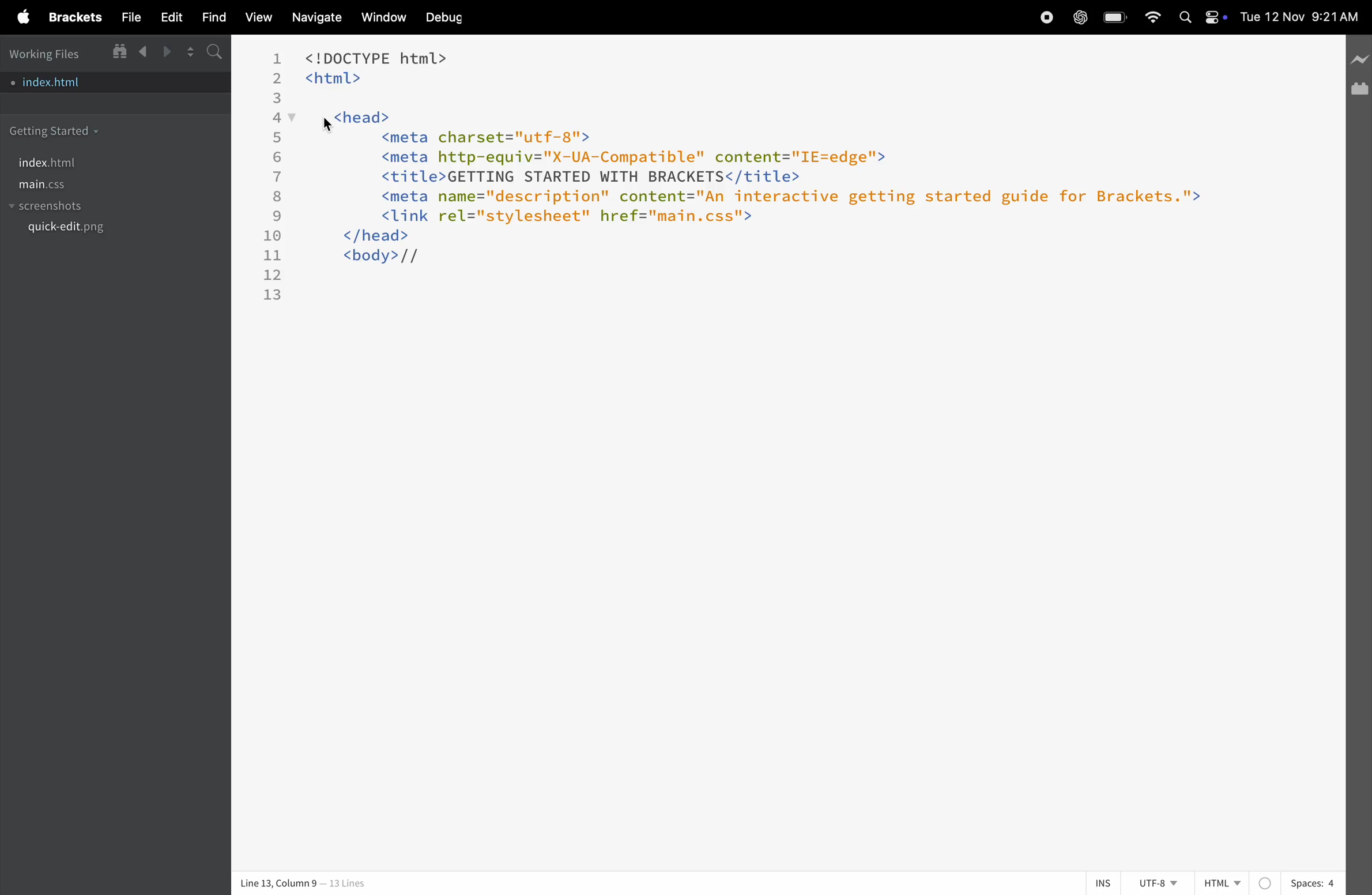  Describe the element at coordinates (74, 16) in the screenshot. I see `brackets` at that location.